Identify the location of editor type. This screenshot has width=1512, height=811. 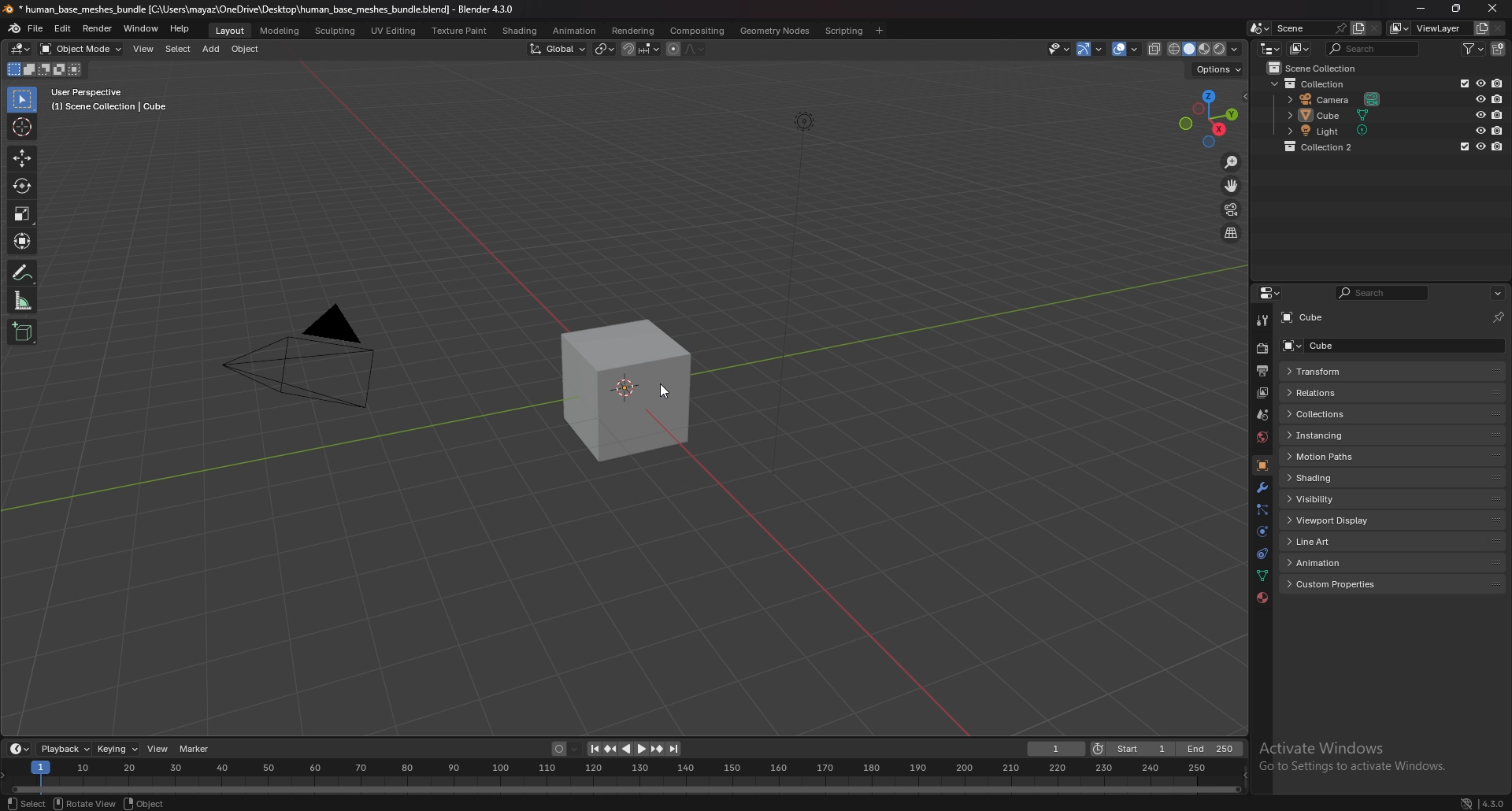
(22, 48).